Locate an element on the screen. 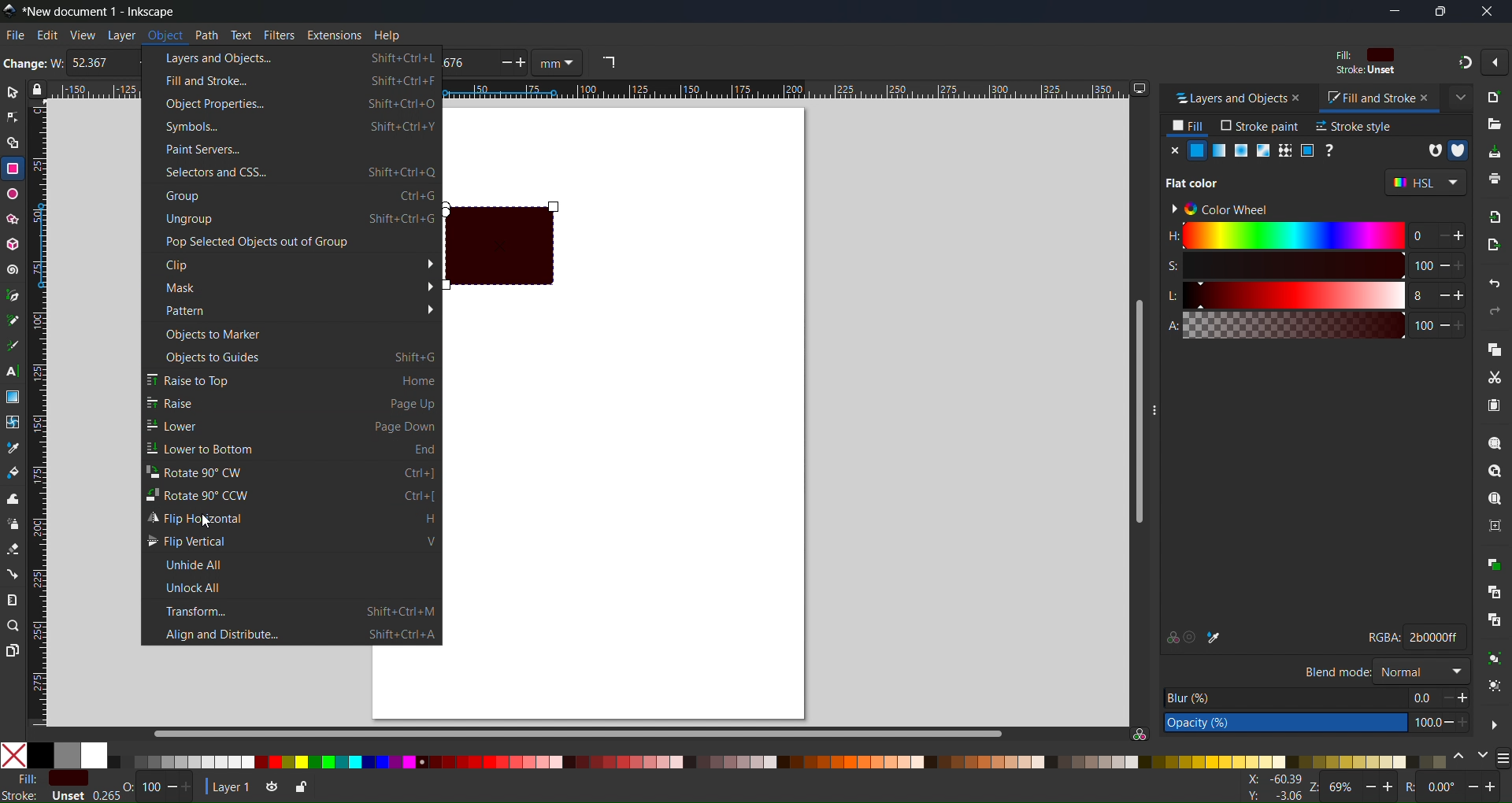 This screenshot has height=803, width=1512. Flip Horizontal is located at coordinates (293, 517).